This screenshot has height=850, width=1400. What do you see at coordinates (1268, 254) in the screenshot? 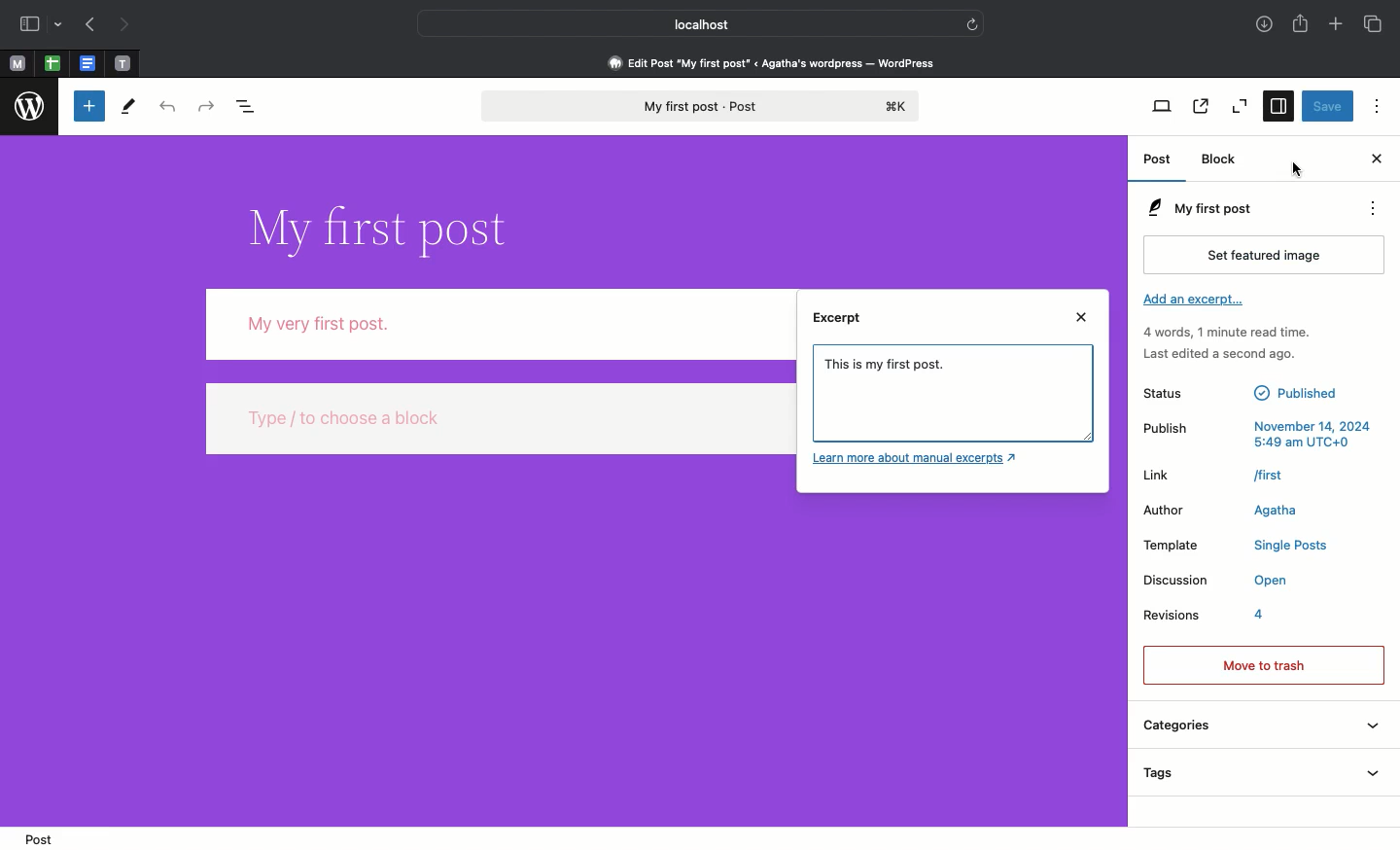
I see `Set featured image` at bounding box center [1268, 254].